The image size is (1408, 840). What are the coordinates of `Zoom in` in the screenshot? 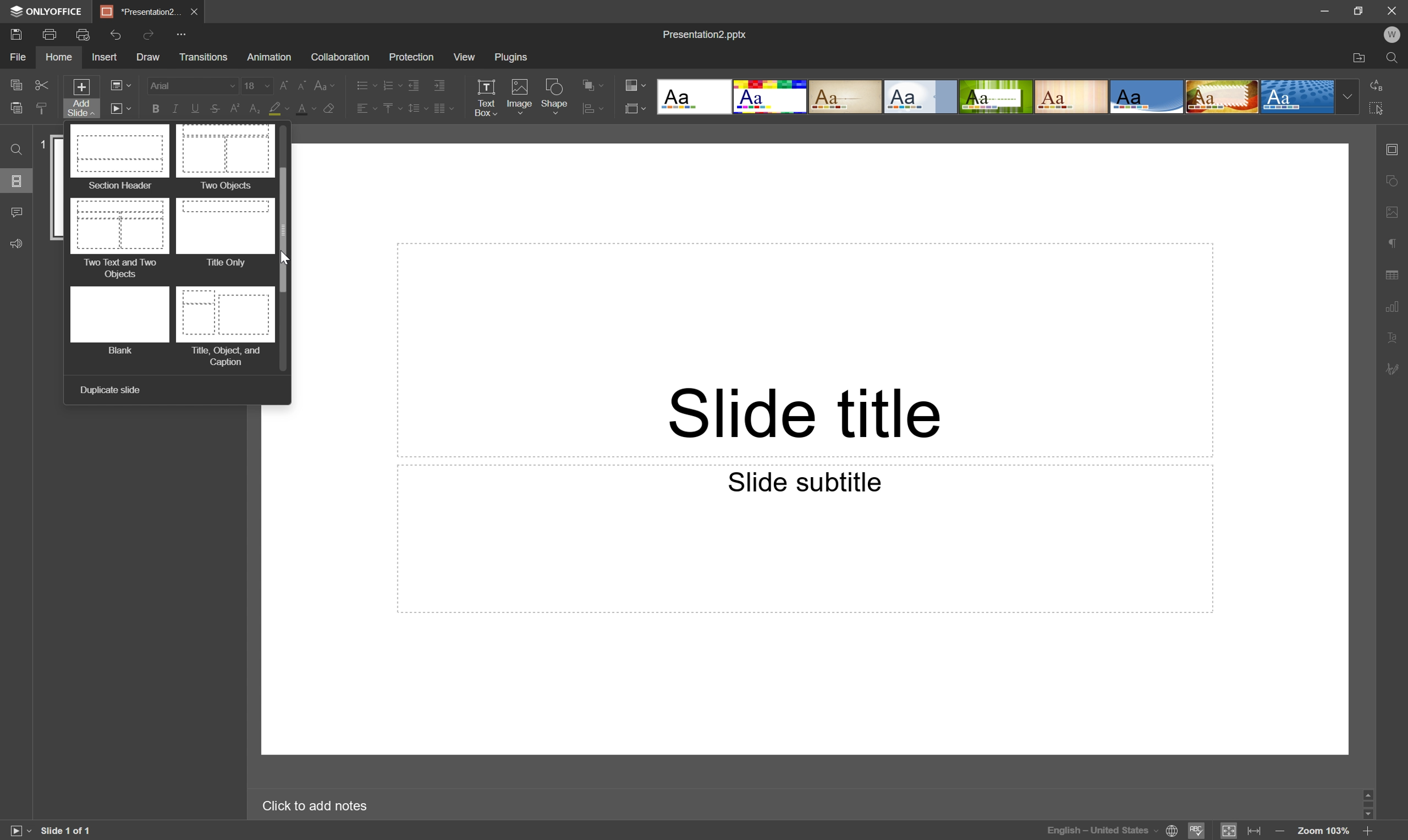 It's located at (1368, 830).